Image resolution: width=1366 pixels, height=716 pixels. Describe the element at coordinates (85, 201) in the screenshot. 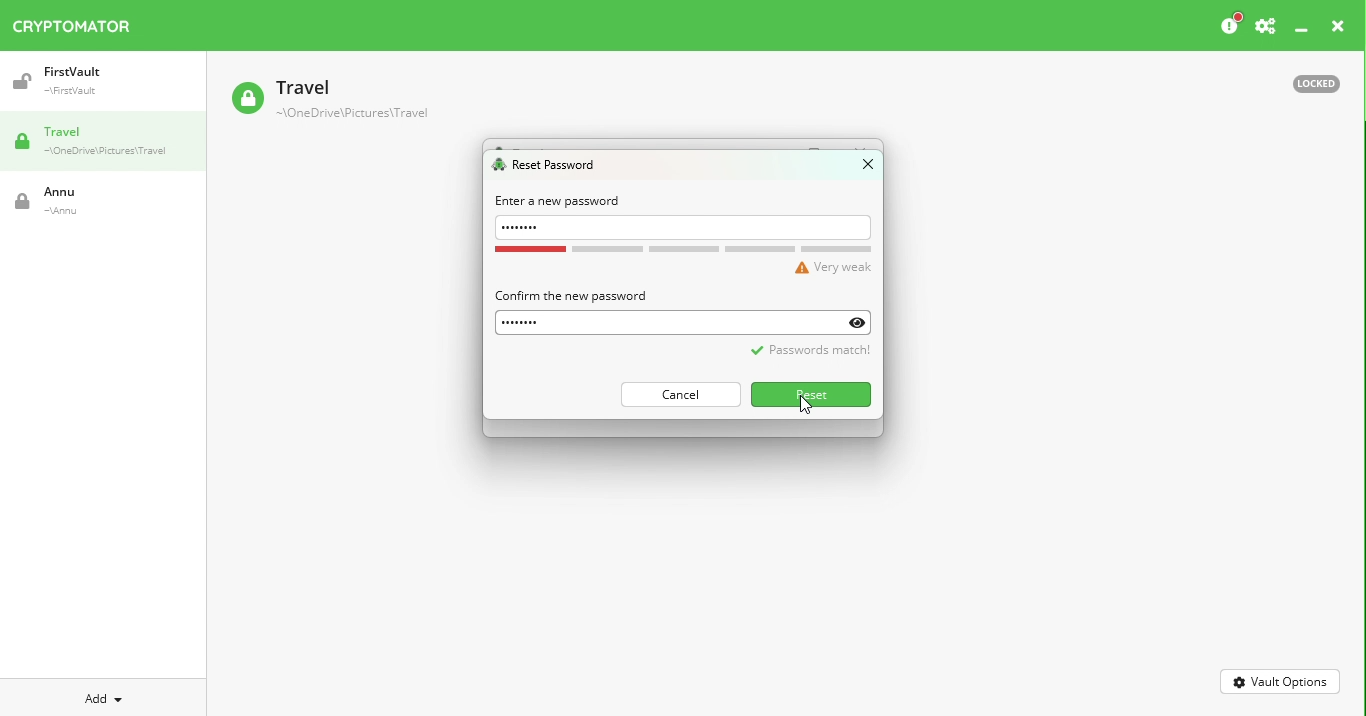

I see `Vault` at that location.